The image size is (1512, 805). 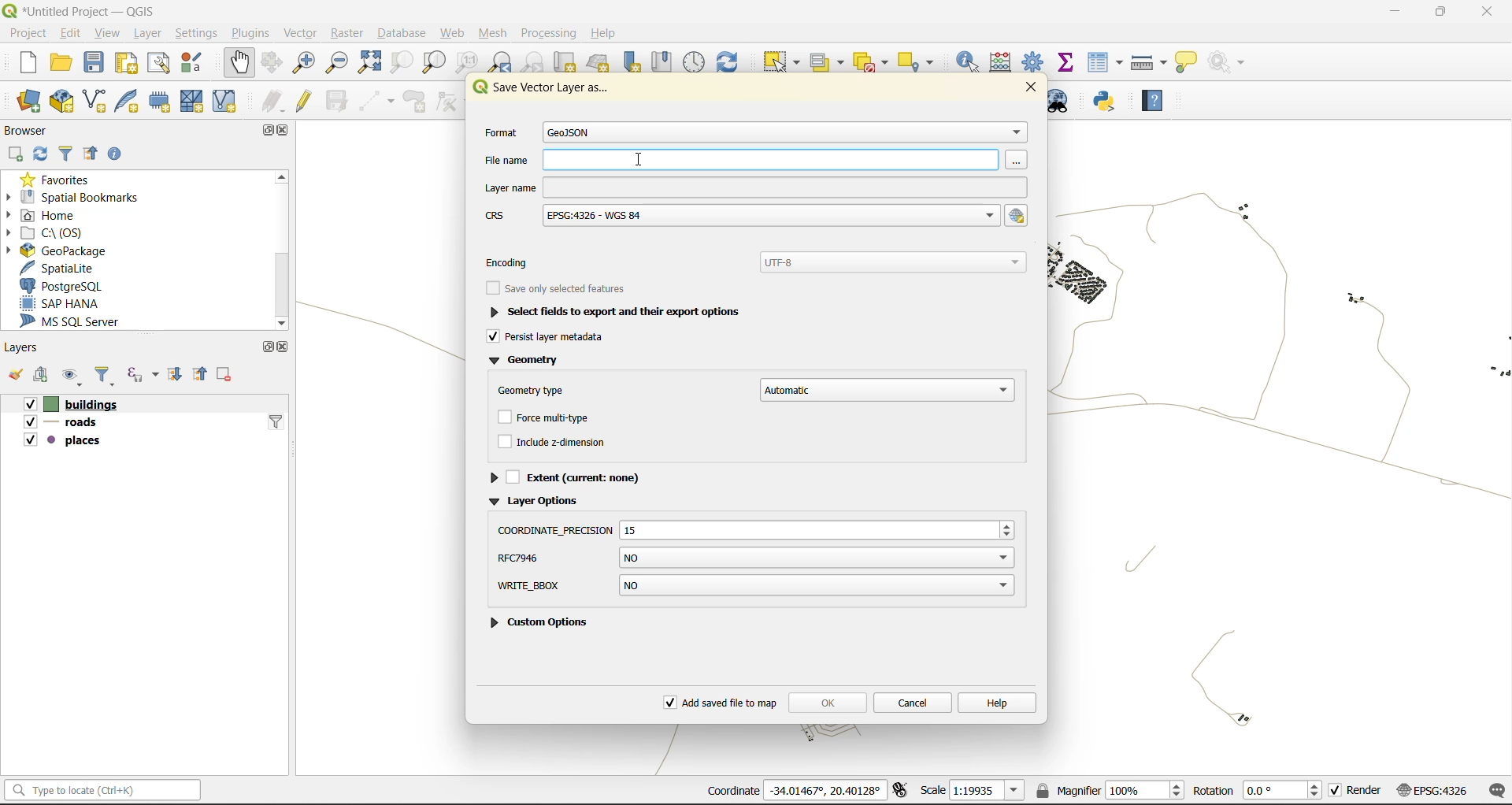 What do you see at coordinates (18, 152) in the screenshot?
I see `add` at bounding box center [18, 152].